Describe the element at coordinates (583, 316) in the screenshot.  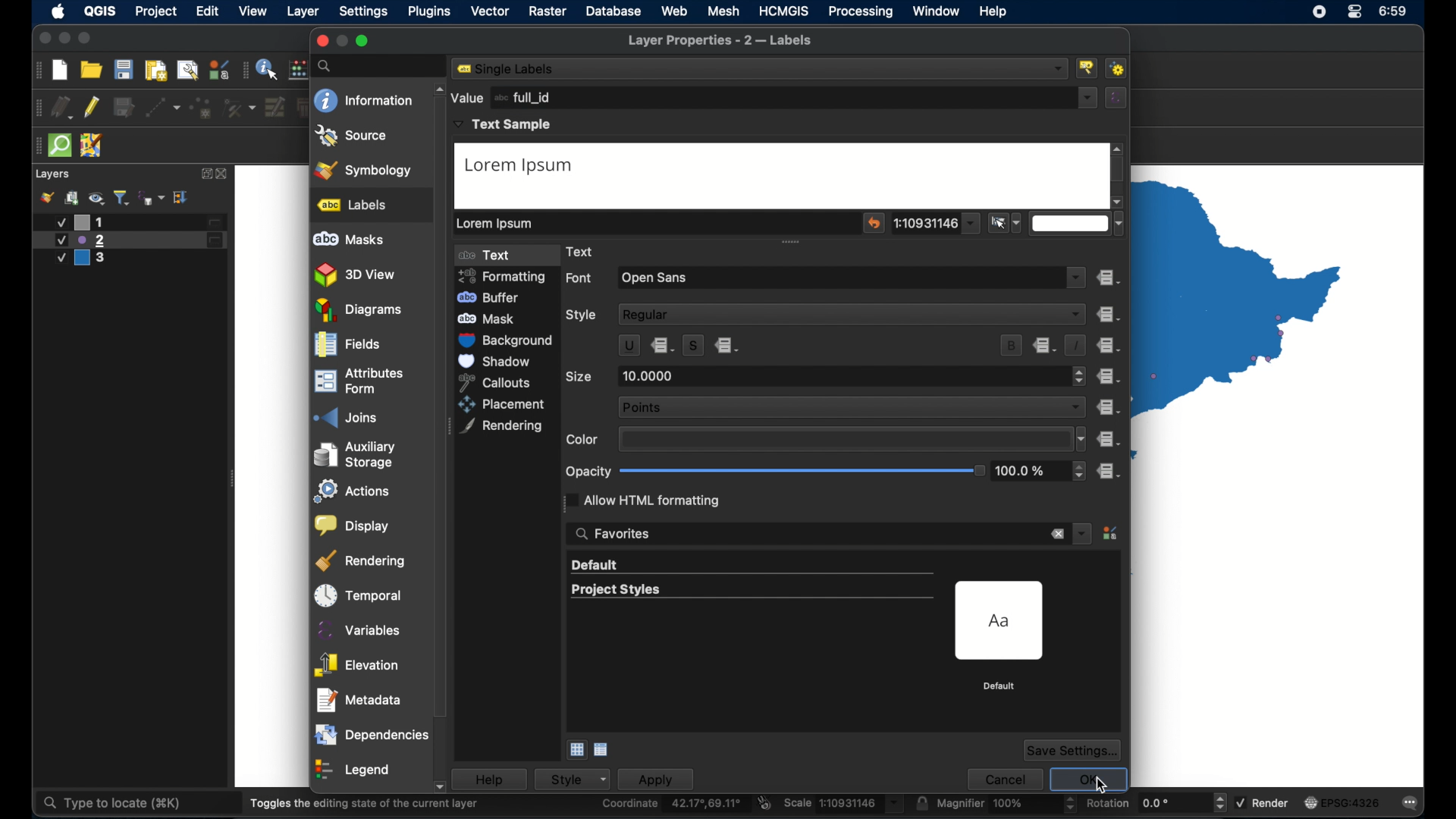
I see `style` at that location.